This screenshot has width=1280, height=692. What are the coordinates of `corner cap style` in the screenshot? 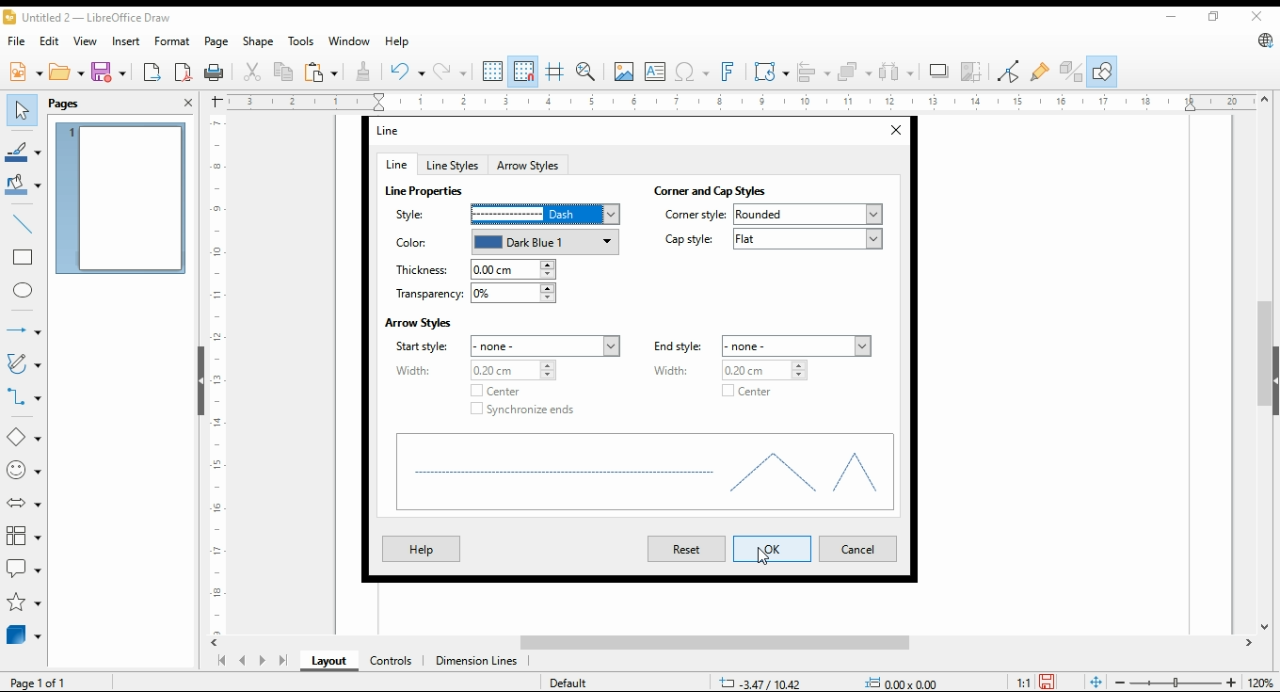 It's located at (717, 191).